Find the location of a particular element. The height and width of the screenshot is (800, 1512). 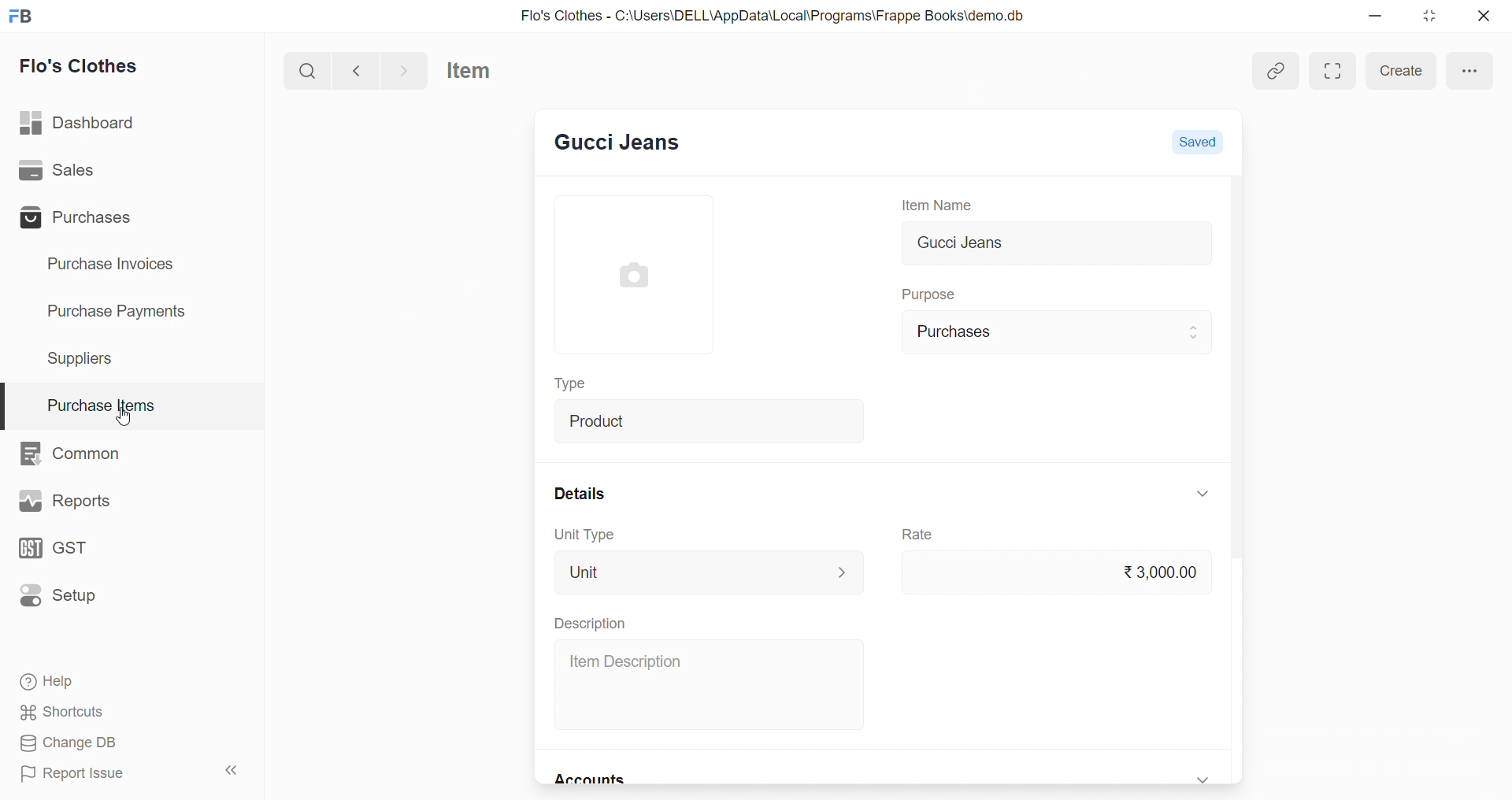

navigate forward is located at coordinates (406, 70).